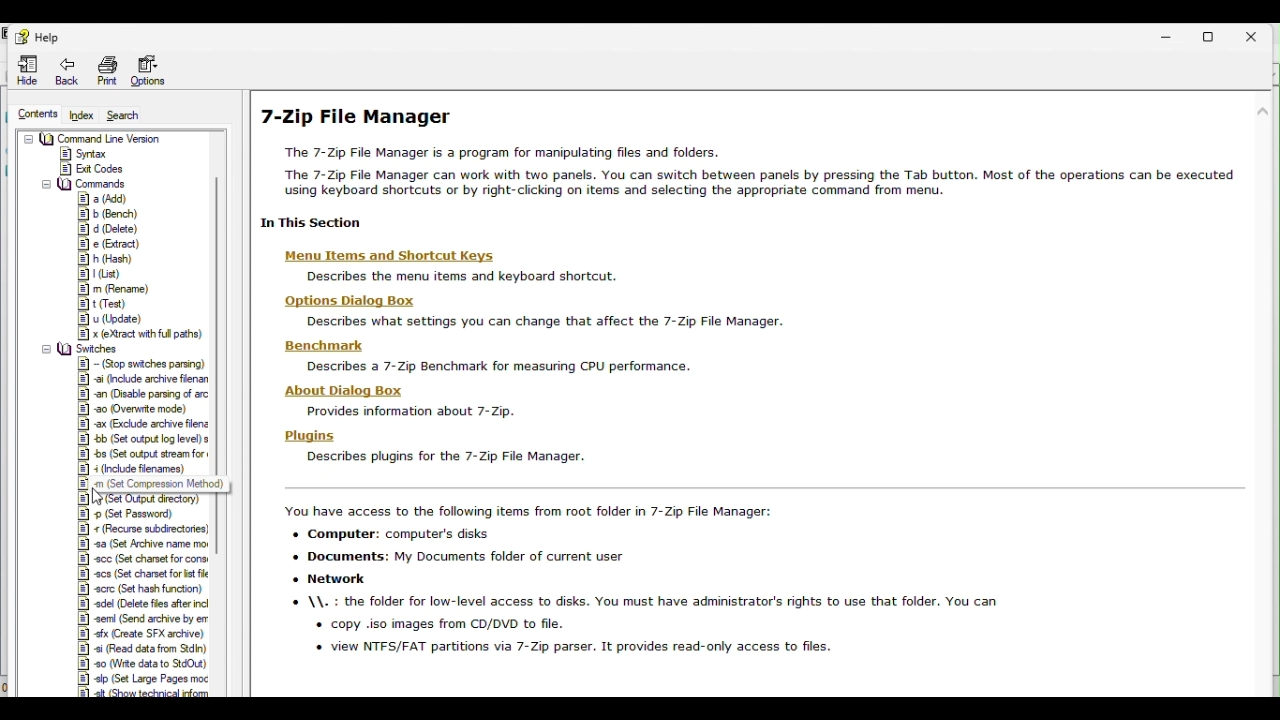 The image size is (1280, 720). Describe the element at coordinates (108, 228) in the screenshot. I see `delete` at that location.